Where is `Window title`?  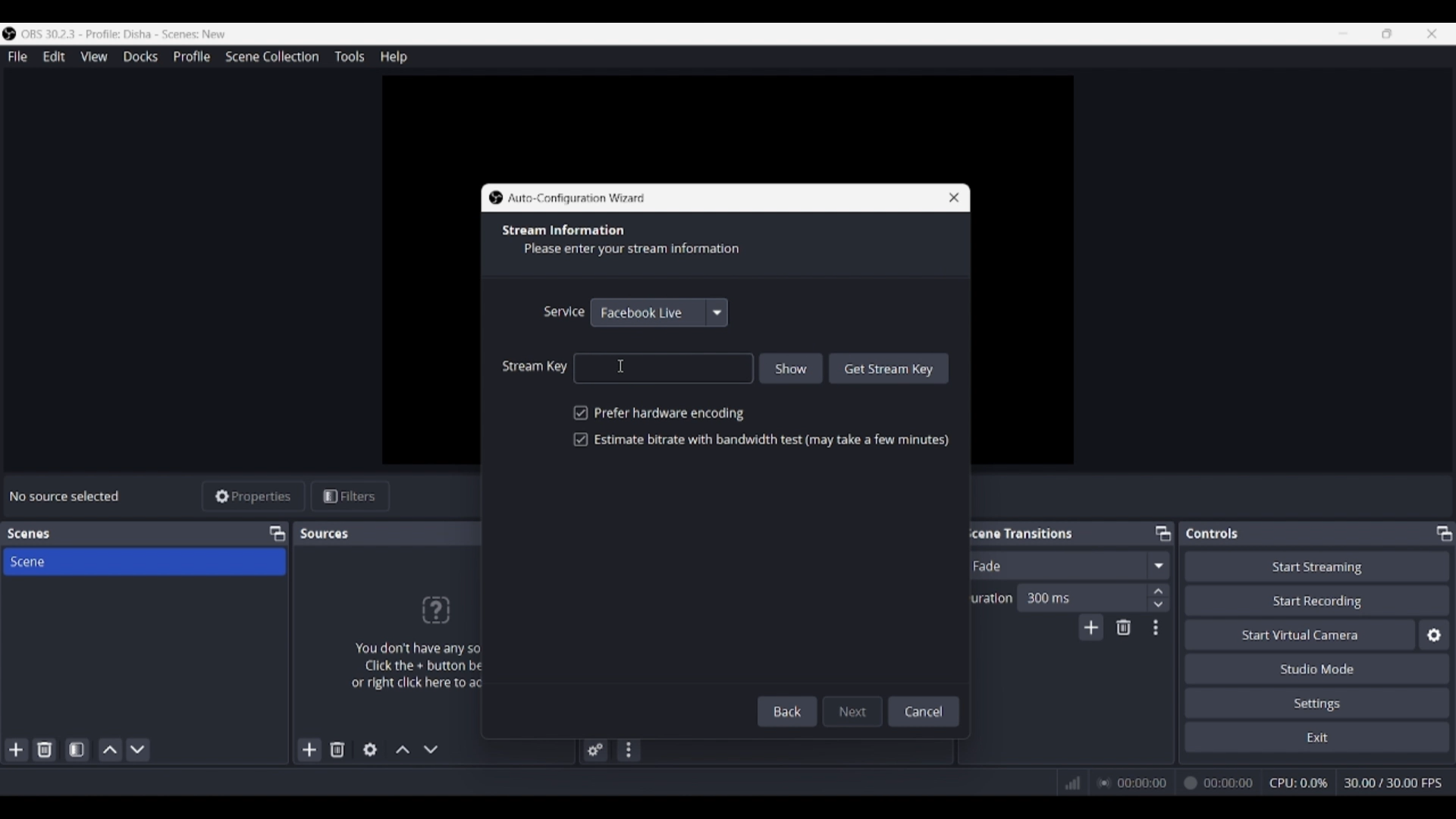 Window title is located at coordinates (577, 199).